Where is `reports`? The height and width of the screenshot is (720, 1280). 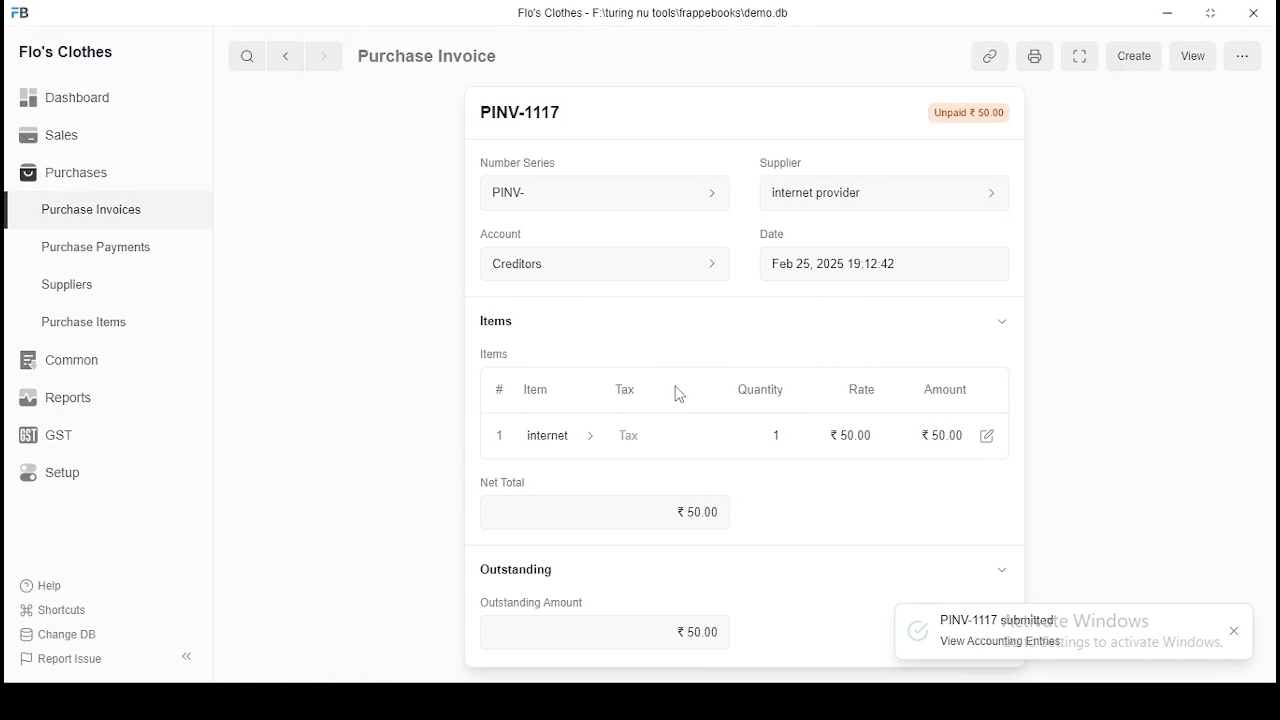 reports is located at coordinates (58, 400).